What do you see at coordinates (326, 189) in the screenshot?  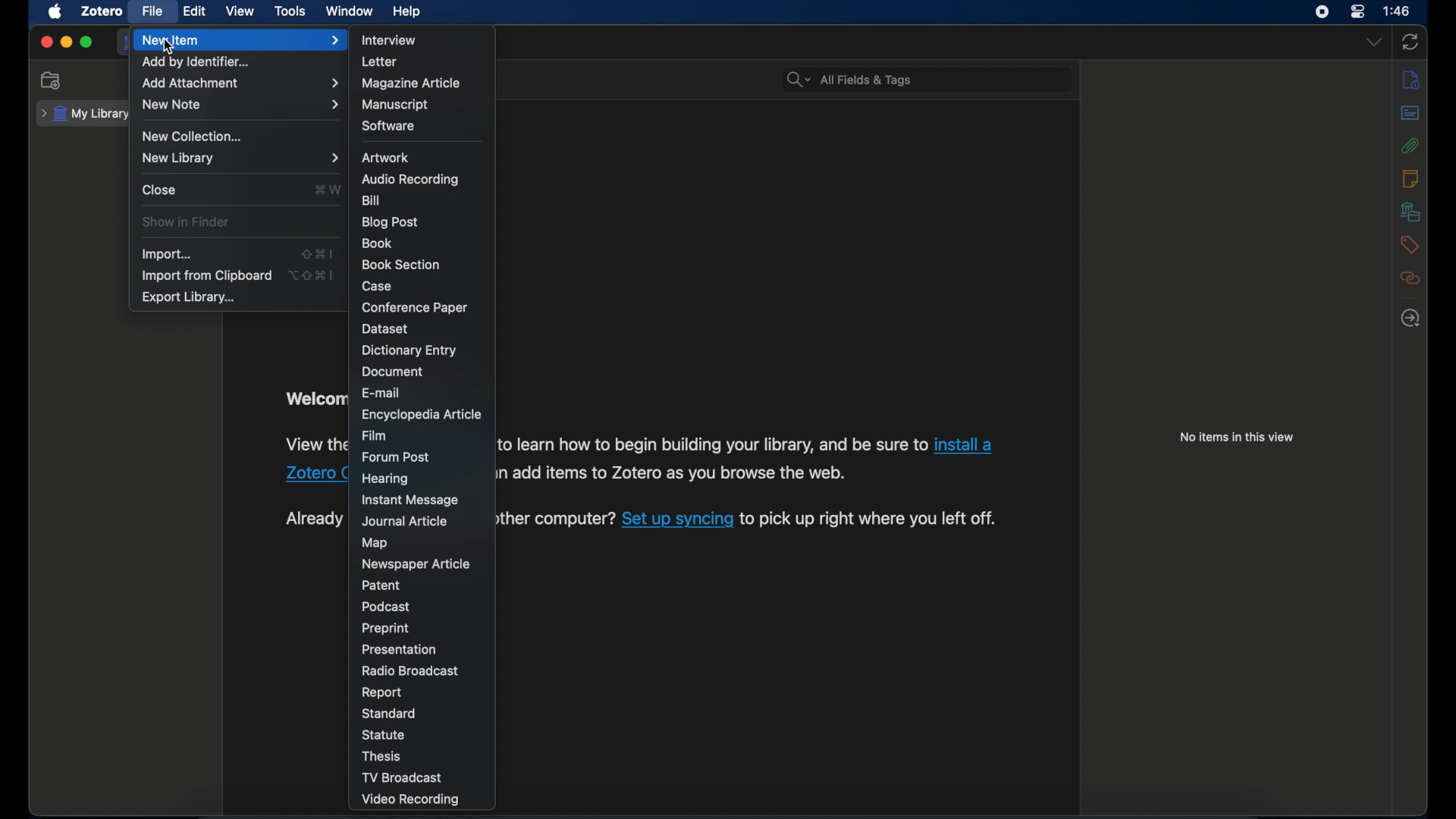 I see `command + W` at bounding box center [326, 189].